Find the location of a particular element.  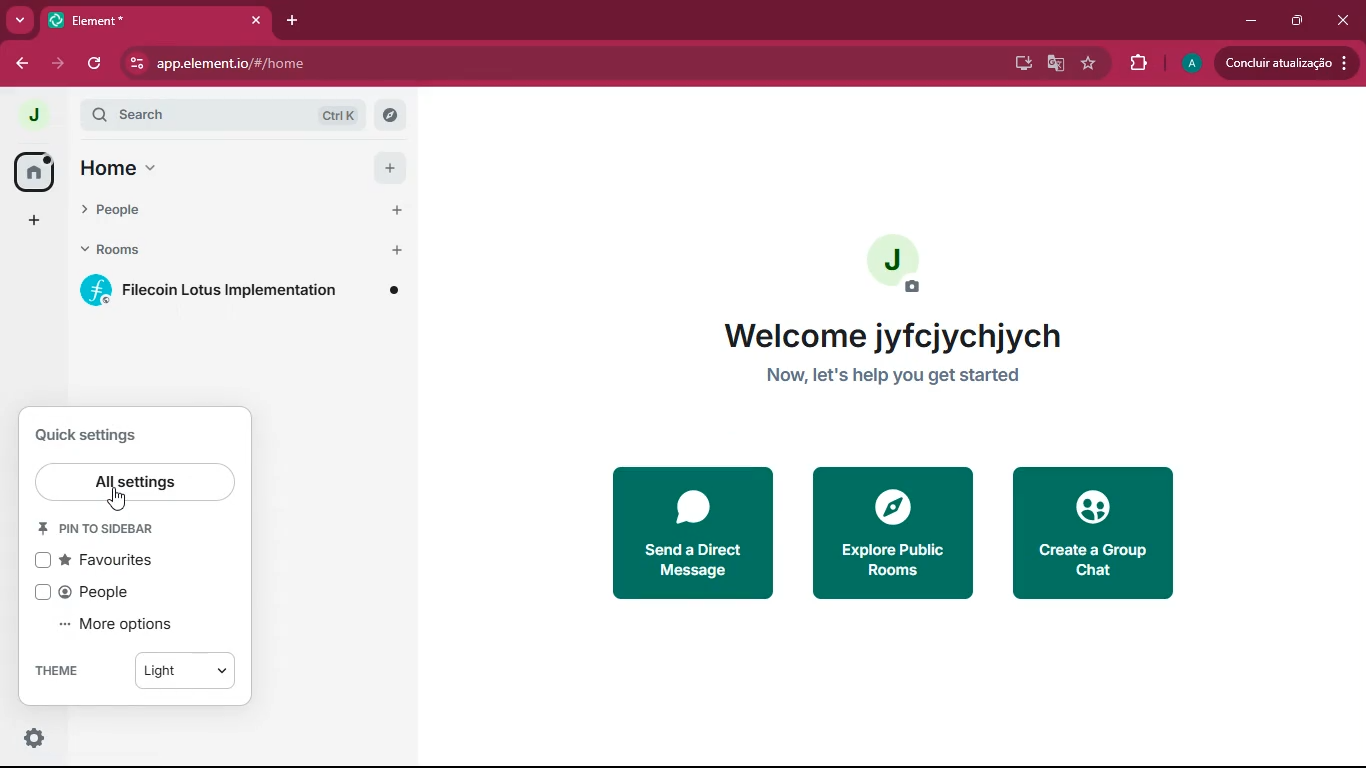

back is located at coordinates (22, 64).